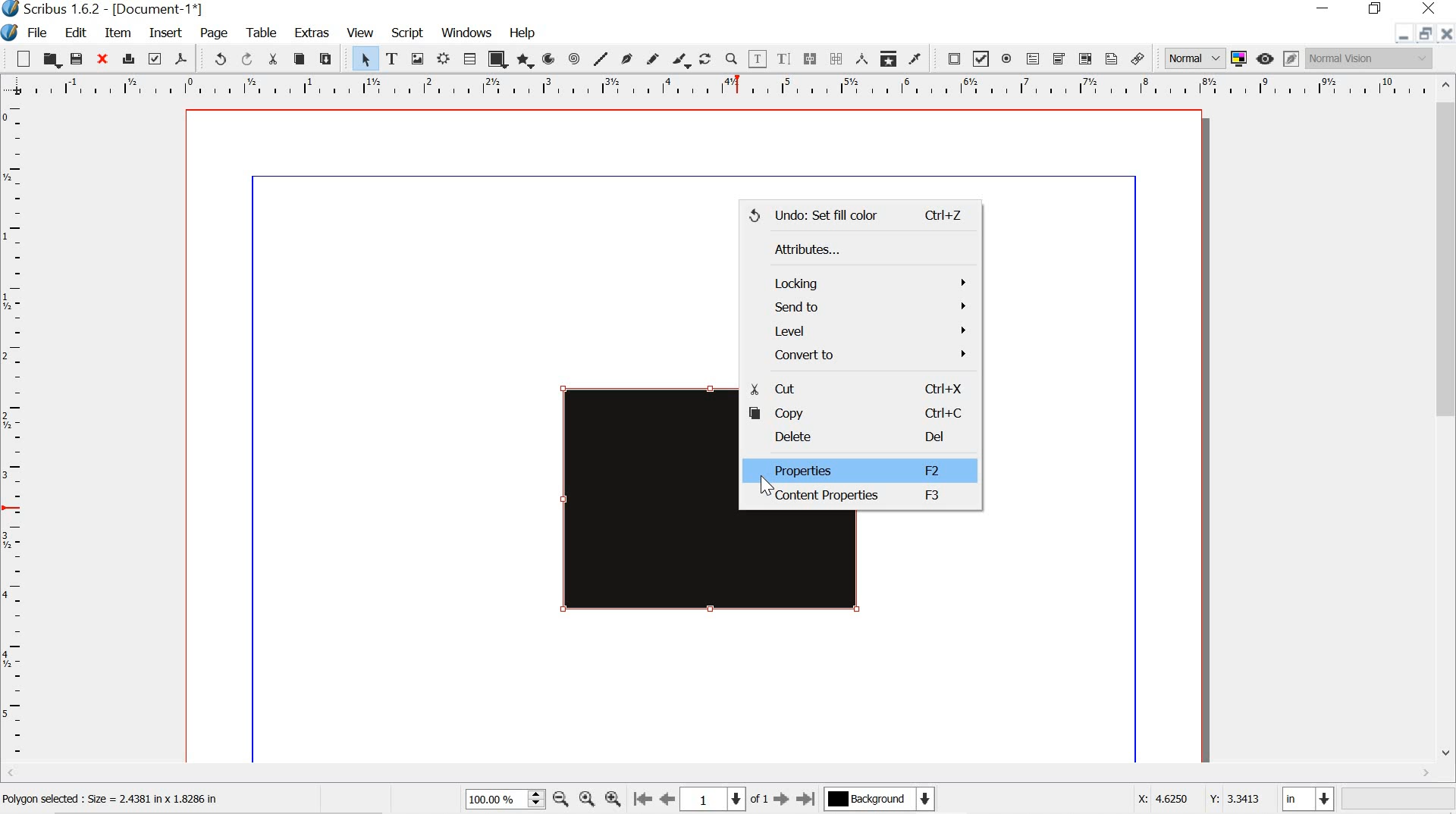 The width and height of the screenshot is (1456, 814). What do you see at coordinates (1263, 58) in the screenshot?
I see `preview mode` at bounding box center [1263, 58].